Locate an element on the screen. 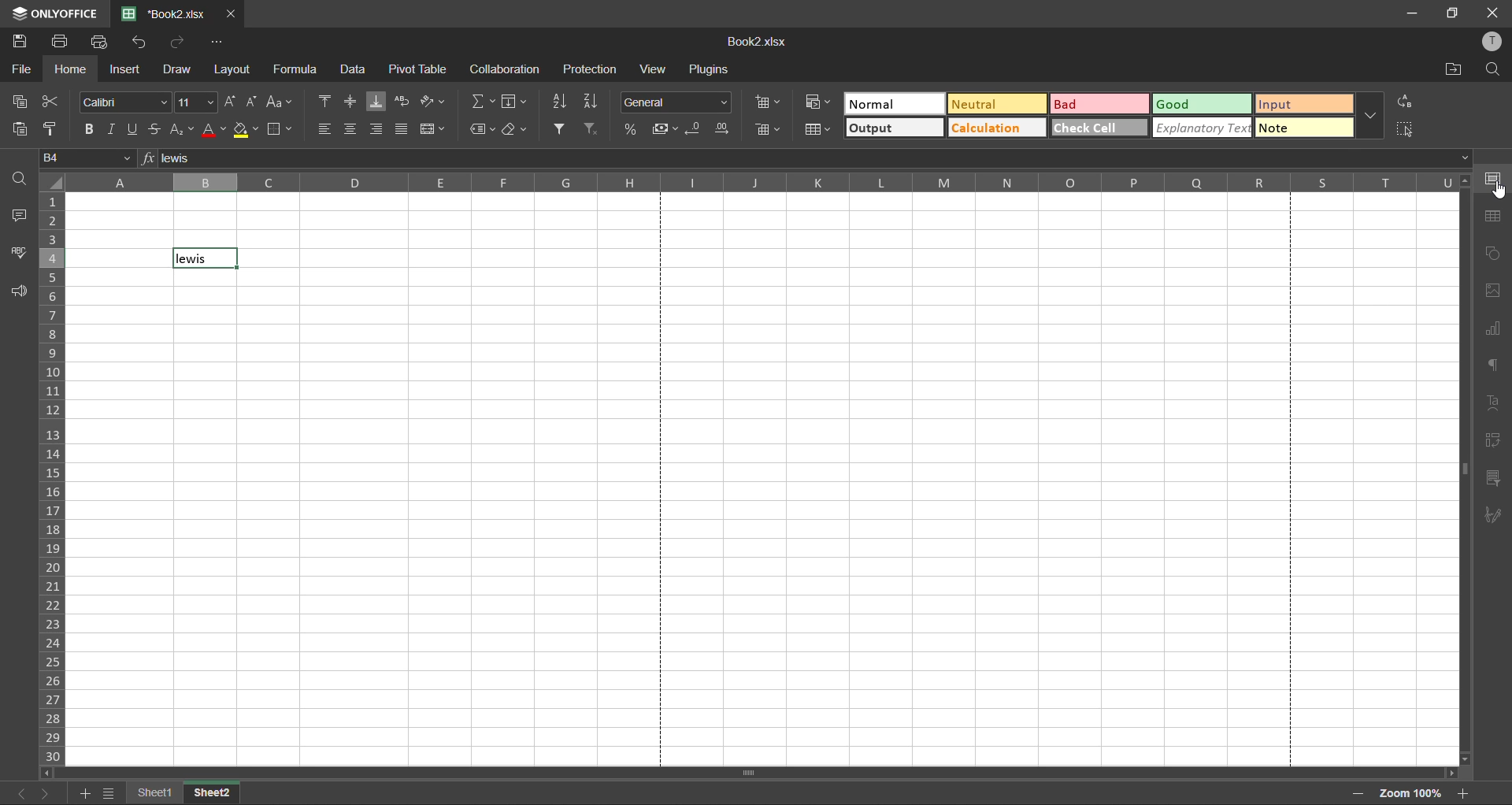 This screenshot has height=805, width=1512. note is located at coordinates (1304, 128).